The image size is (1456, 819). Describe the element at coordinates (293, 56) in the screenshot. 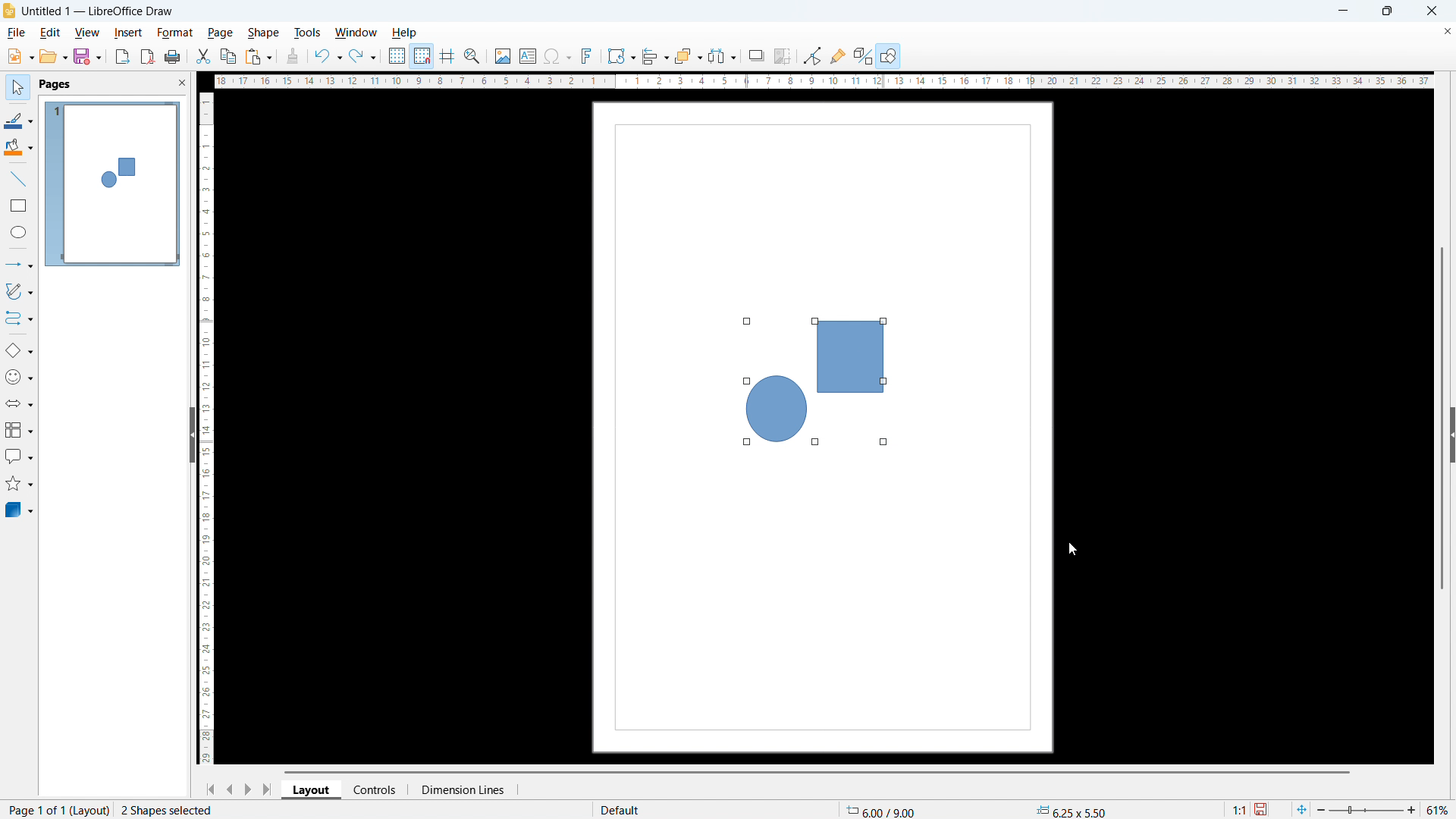

I see `clone formatting` at that location.